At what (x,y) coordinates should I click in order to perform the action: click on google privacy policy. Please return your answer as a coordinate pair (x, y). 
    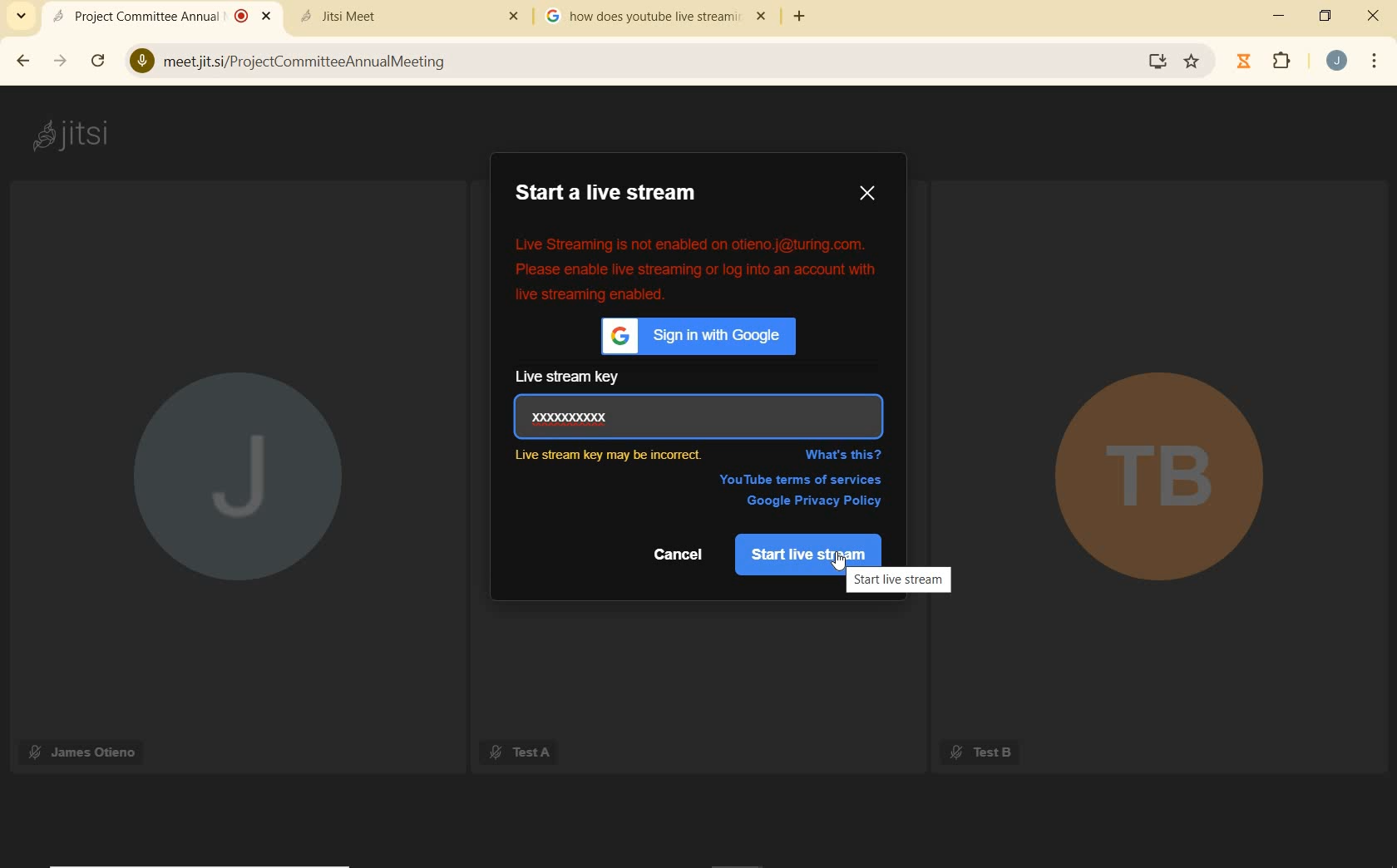
    Looking at the image, I should click on (815, 497).